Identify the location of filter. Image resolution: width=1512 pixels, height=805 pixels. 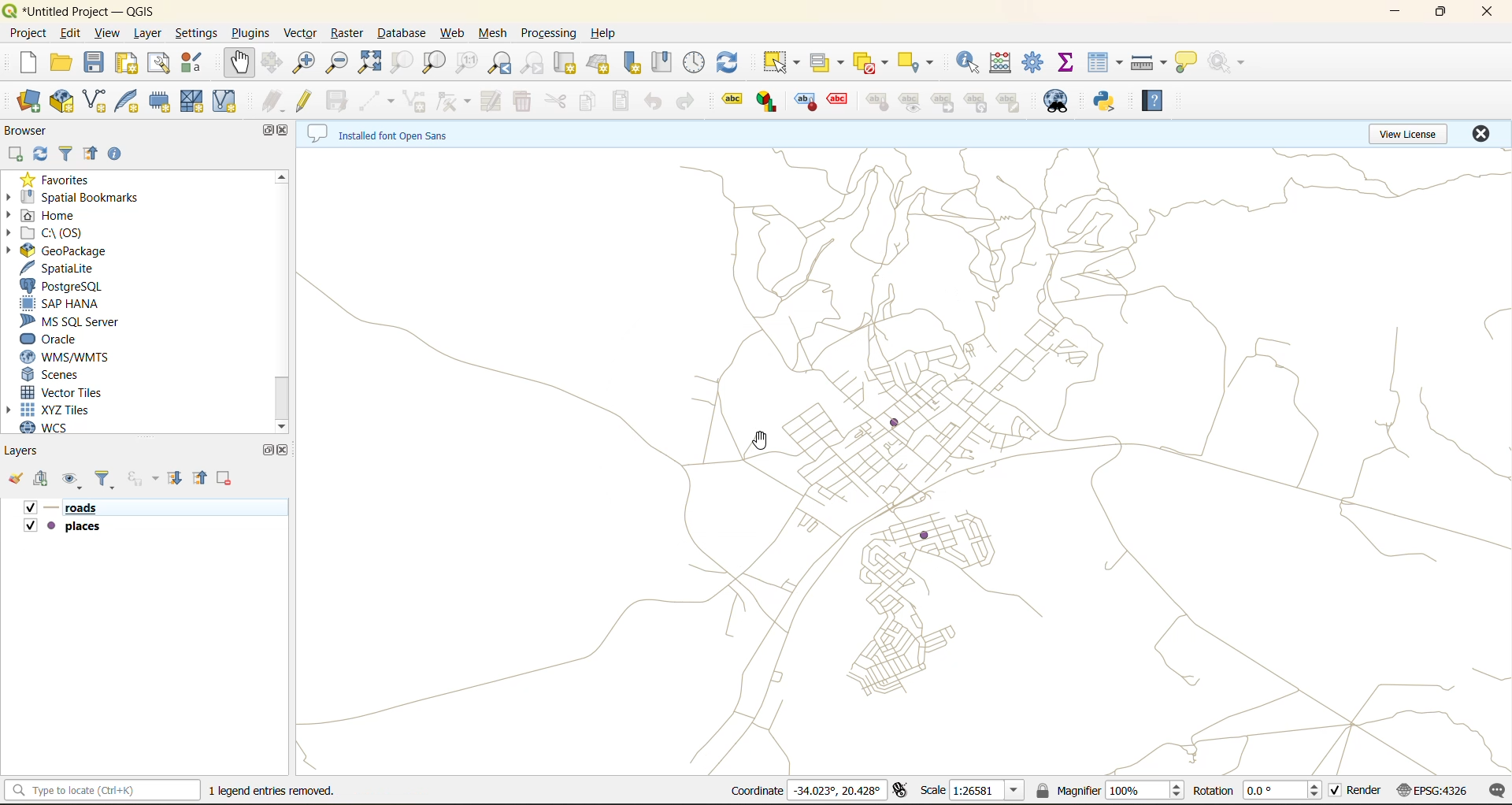
(65, 154).